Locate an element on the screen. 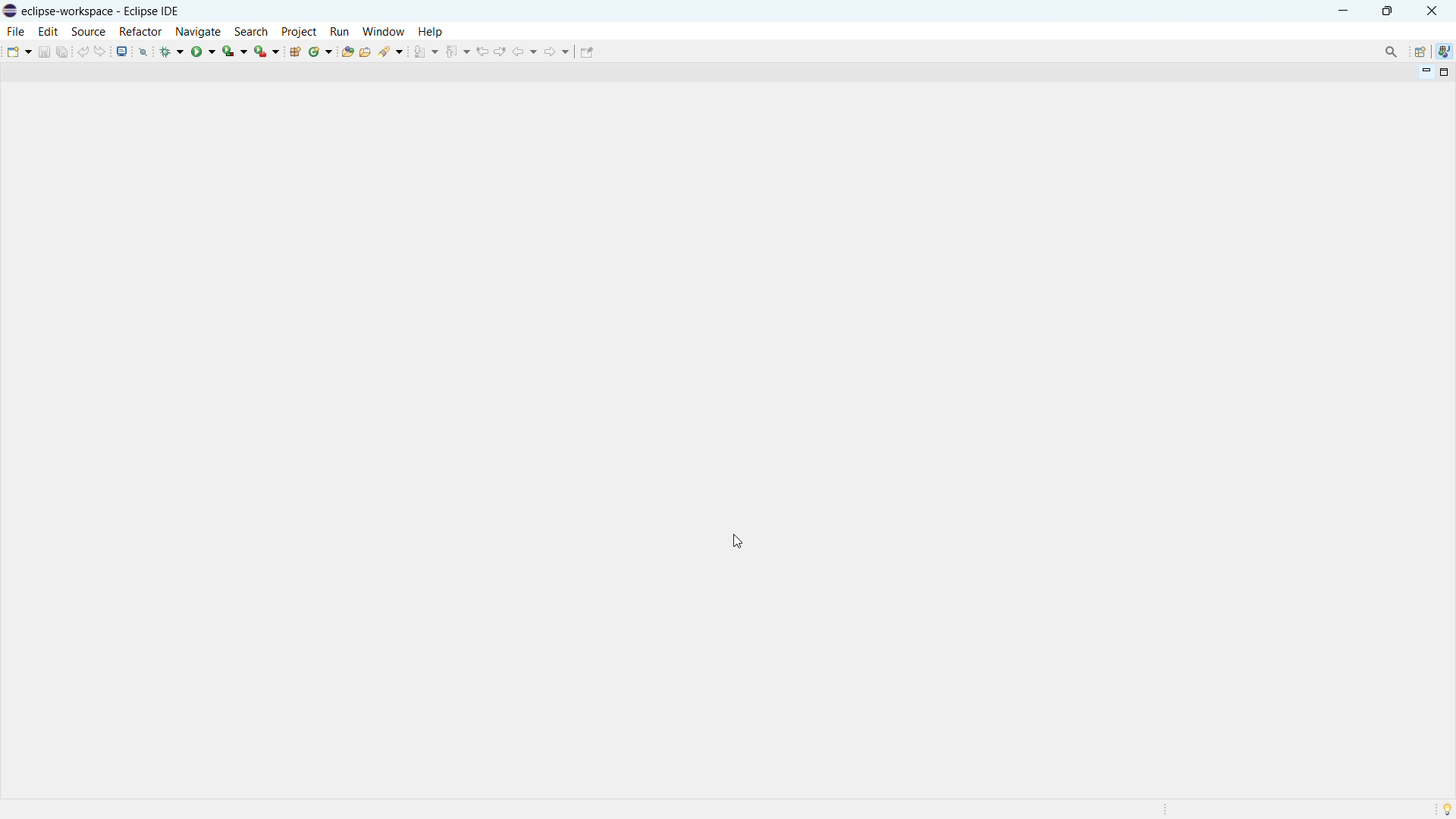 The height and width of the screenshot is (819, 1456). project is located at coordinates (300, 31).